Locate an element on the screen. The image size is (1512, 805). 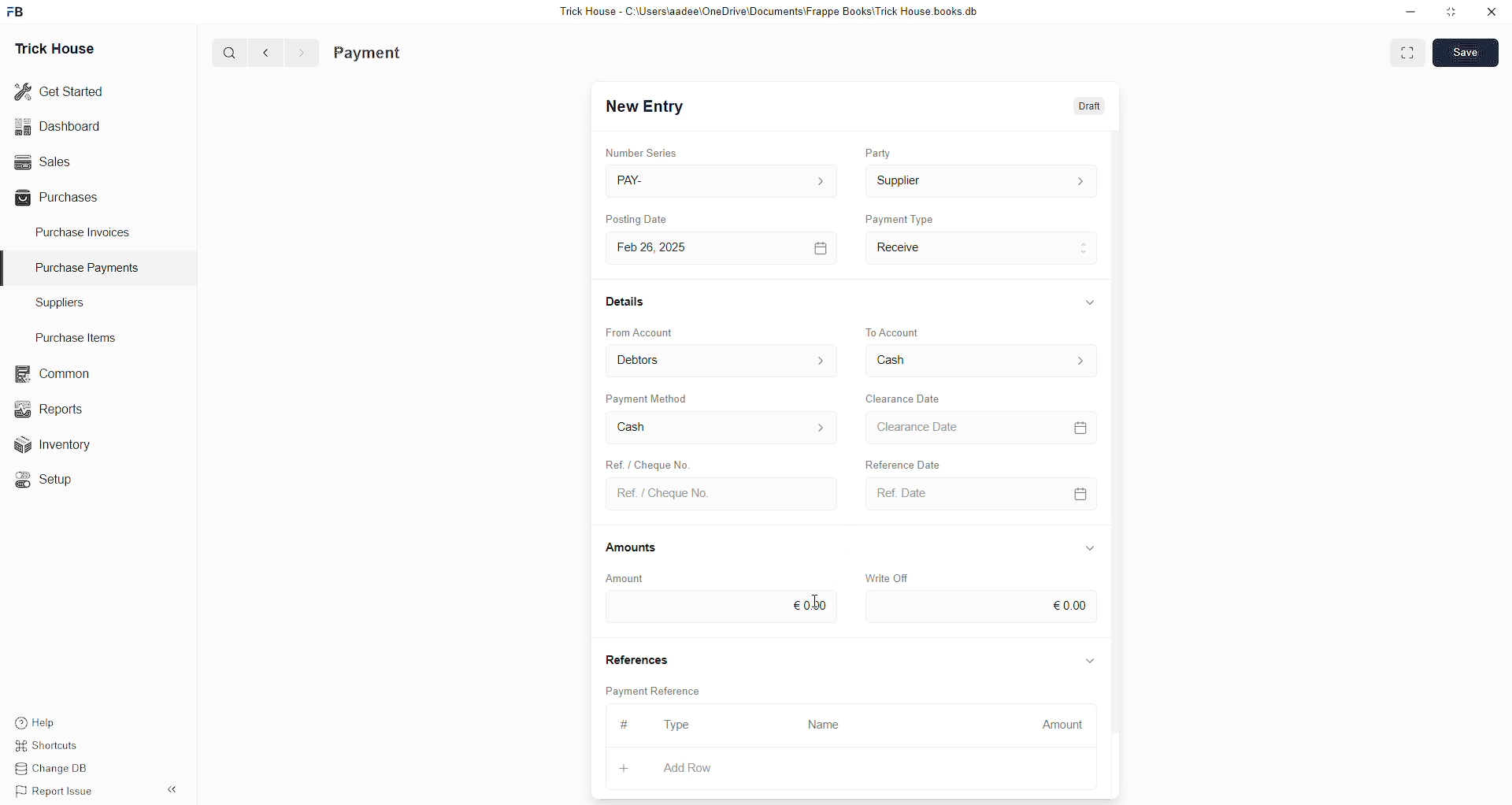
Report Issue is located at coordinates (51, 789).